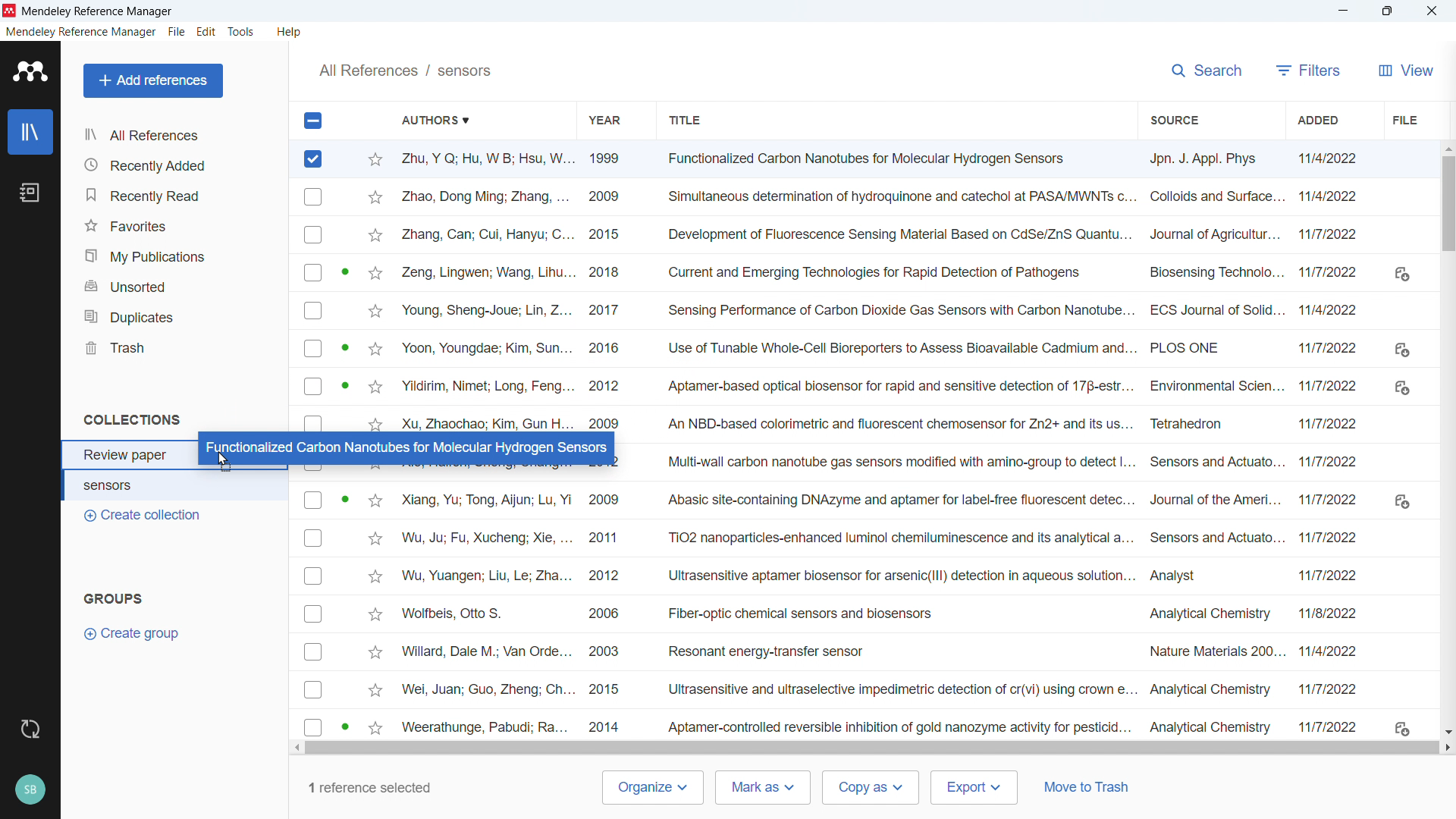  I want to click on Number of references is selected, so click(367, 787).